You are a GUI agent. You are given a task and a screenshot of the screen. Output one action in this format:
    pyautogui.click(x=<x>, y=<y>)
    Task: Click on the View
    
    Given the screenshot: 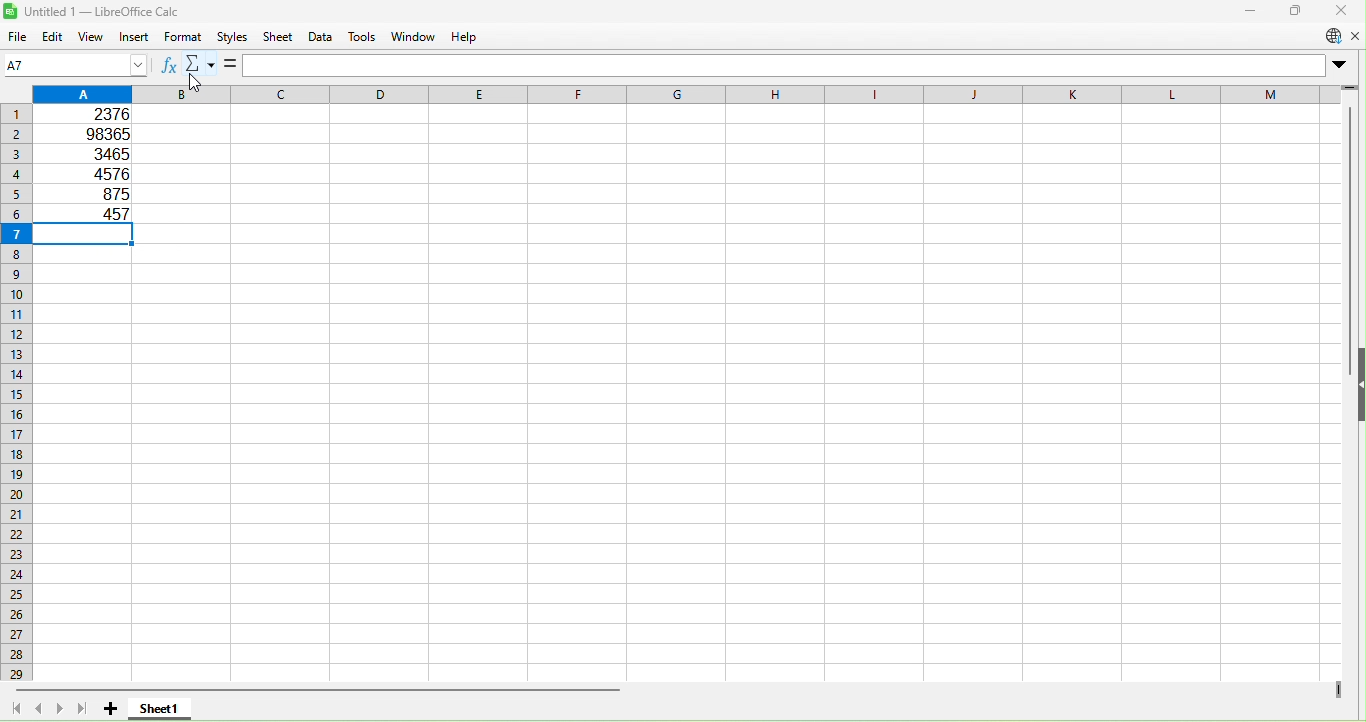 What is the action you would take?
    pyautogui.click(x=93, y=37)
    